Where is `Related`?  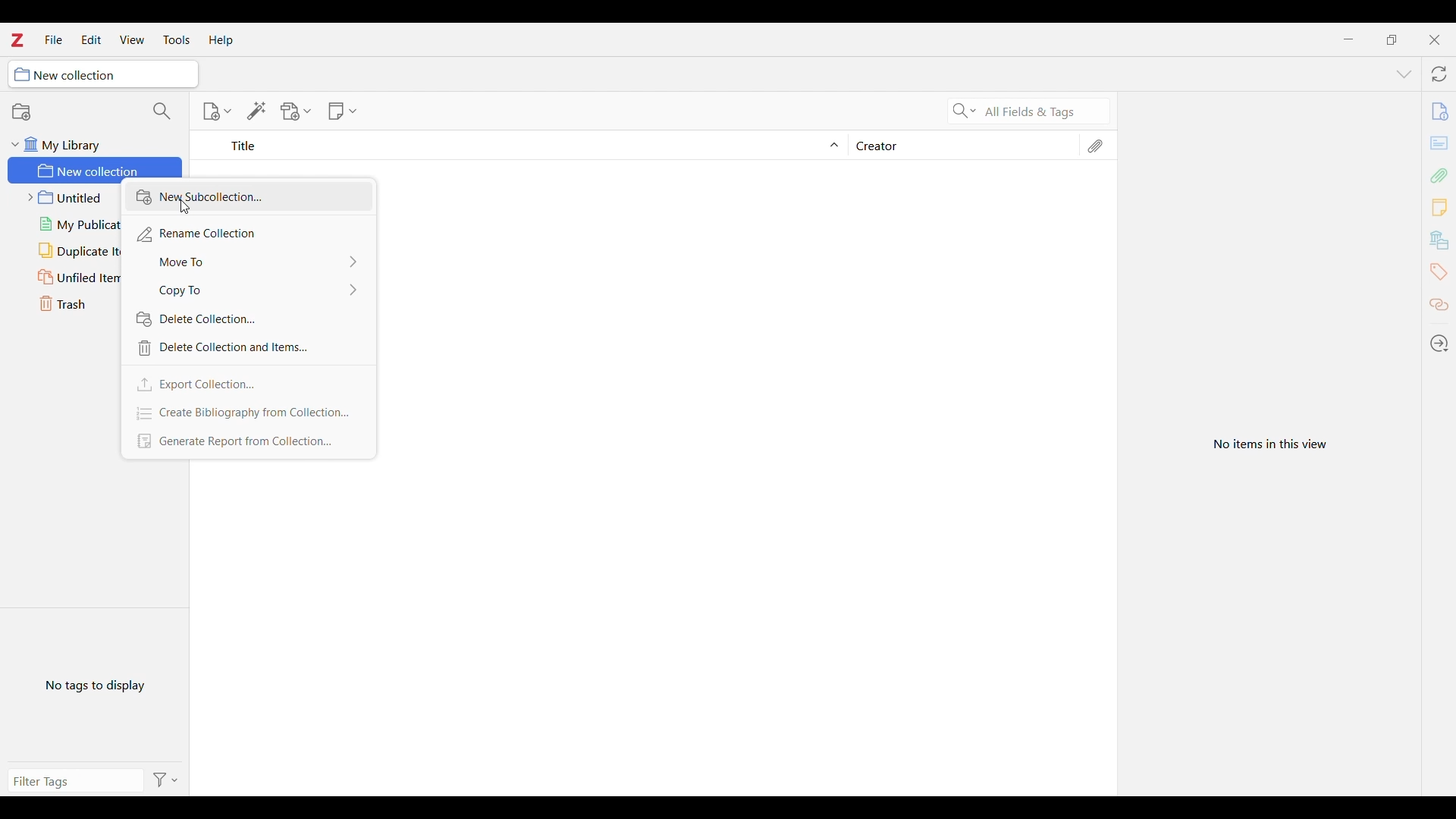 Related is located at coordinates (1439, 306).